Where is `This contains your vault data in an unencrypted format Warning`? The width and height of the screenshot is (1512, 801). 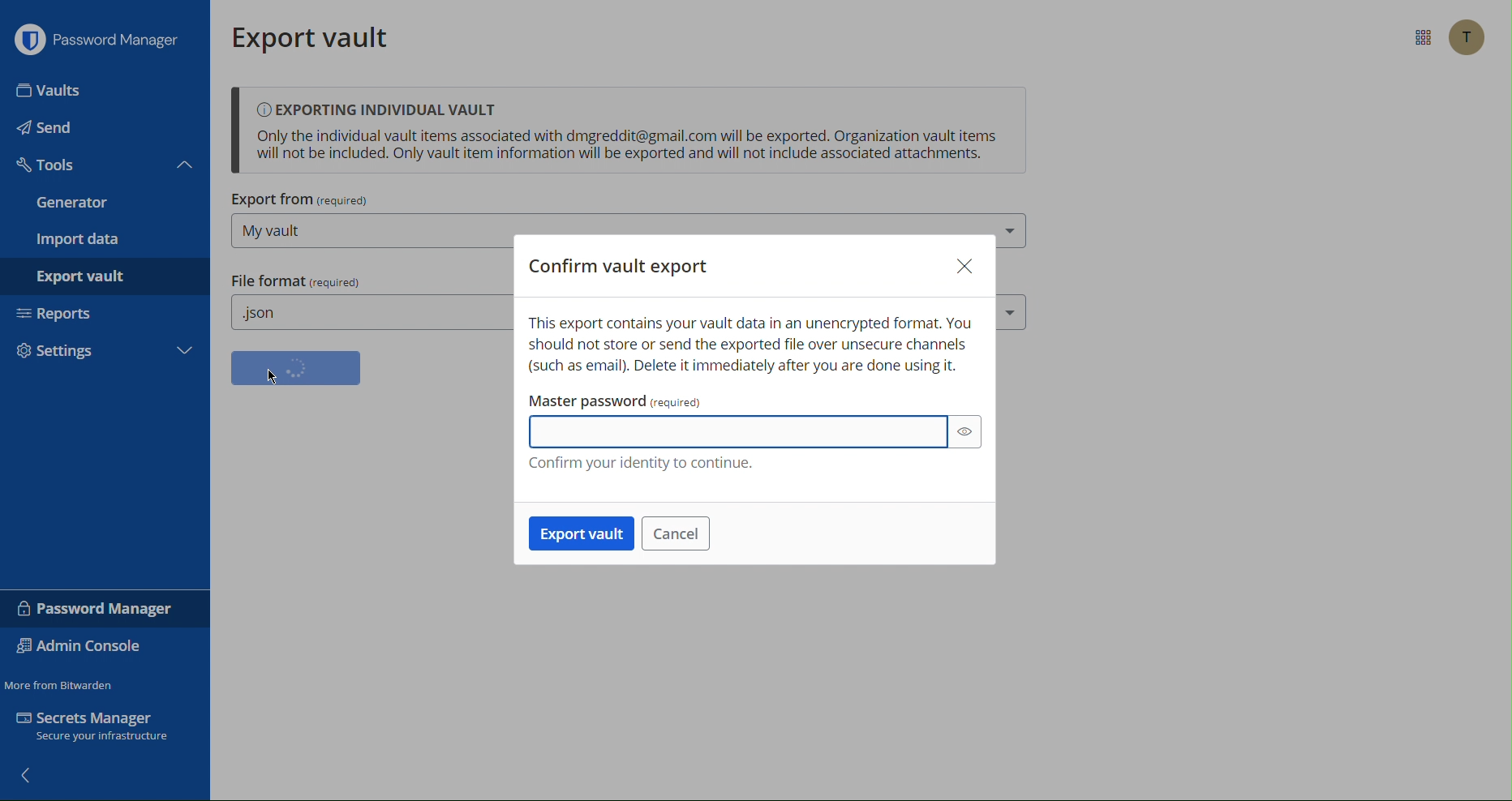 This contains your vault data in an unencrypted format Warning is located at coordinates (751, 346).